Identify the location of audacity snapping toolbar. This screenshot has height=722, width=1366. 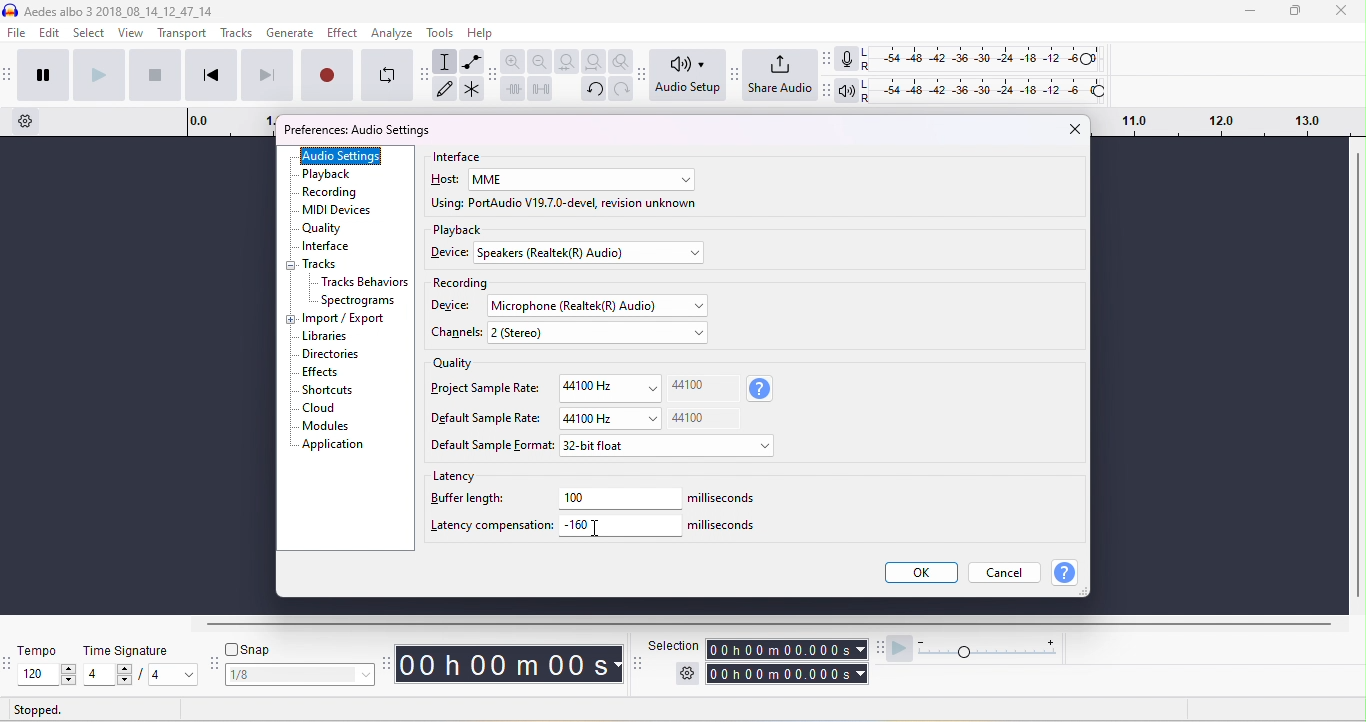
(215, 664).